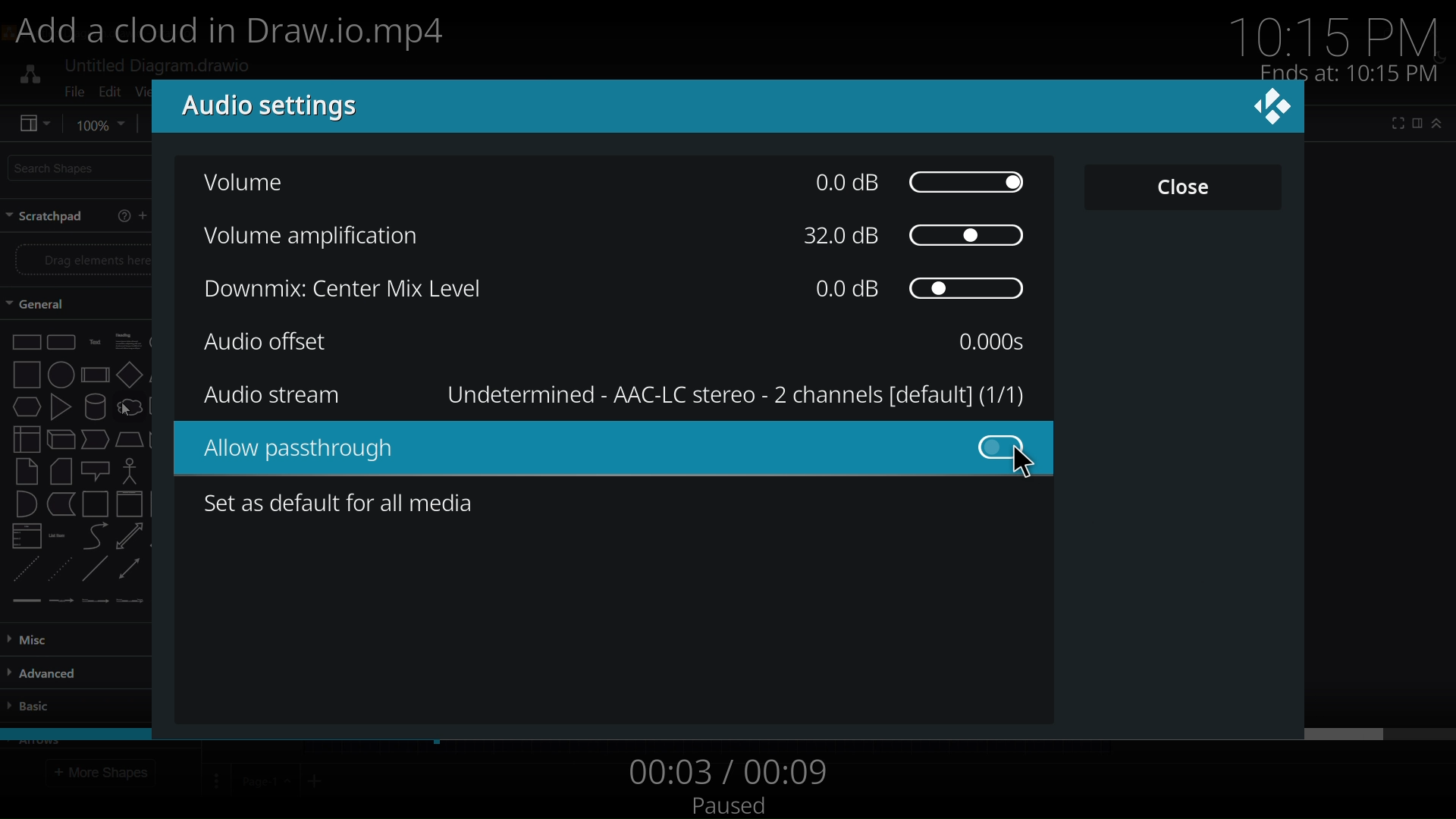 This screenshot has width=1456, height=819. Describe the element at coordinates (918, 181) in the screenshot. I see `00dB ` at that location.